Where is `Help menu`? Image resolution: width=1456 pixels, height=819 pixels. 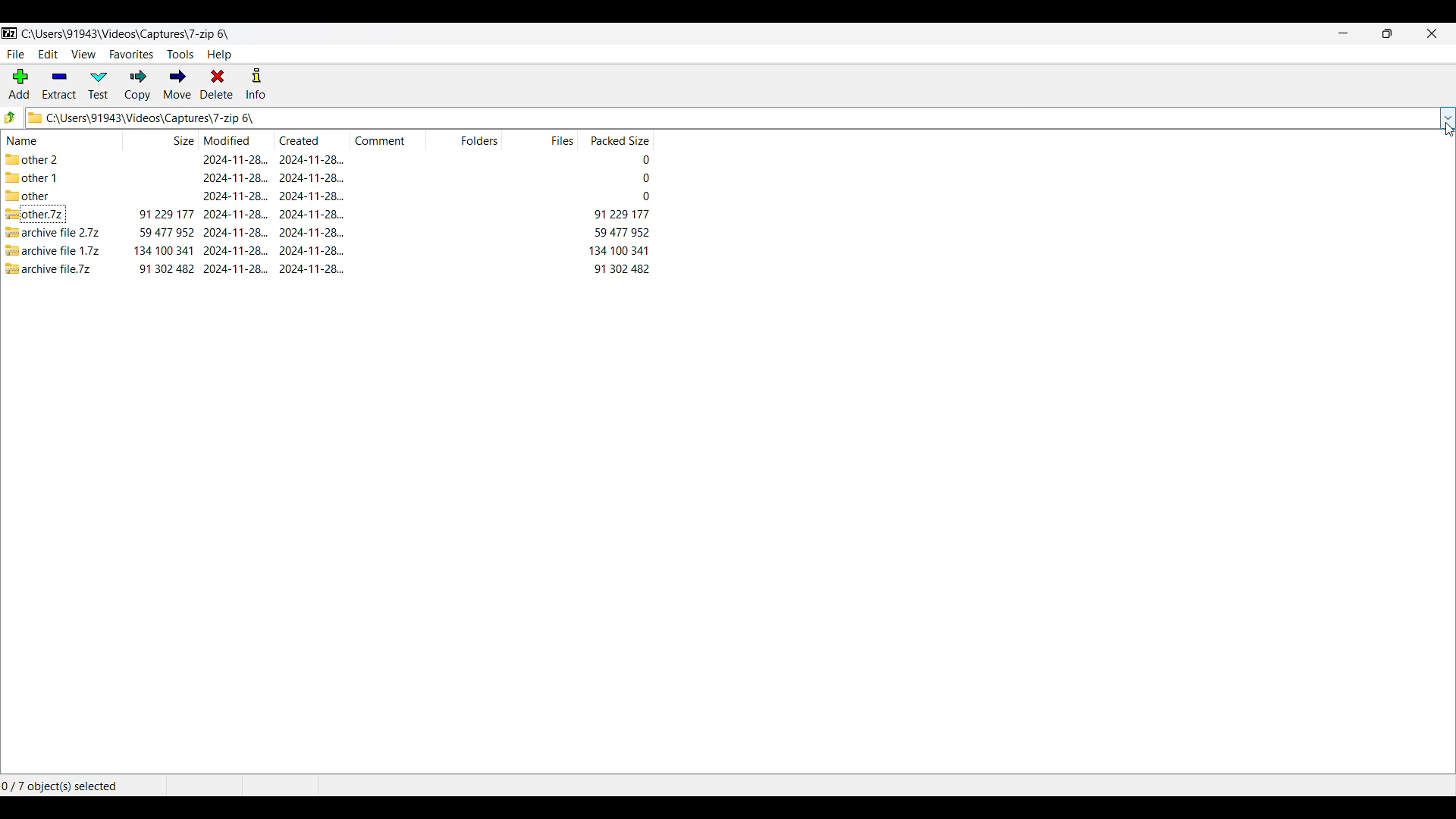 Help menu is located at coordinates (219, 55).